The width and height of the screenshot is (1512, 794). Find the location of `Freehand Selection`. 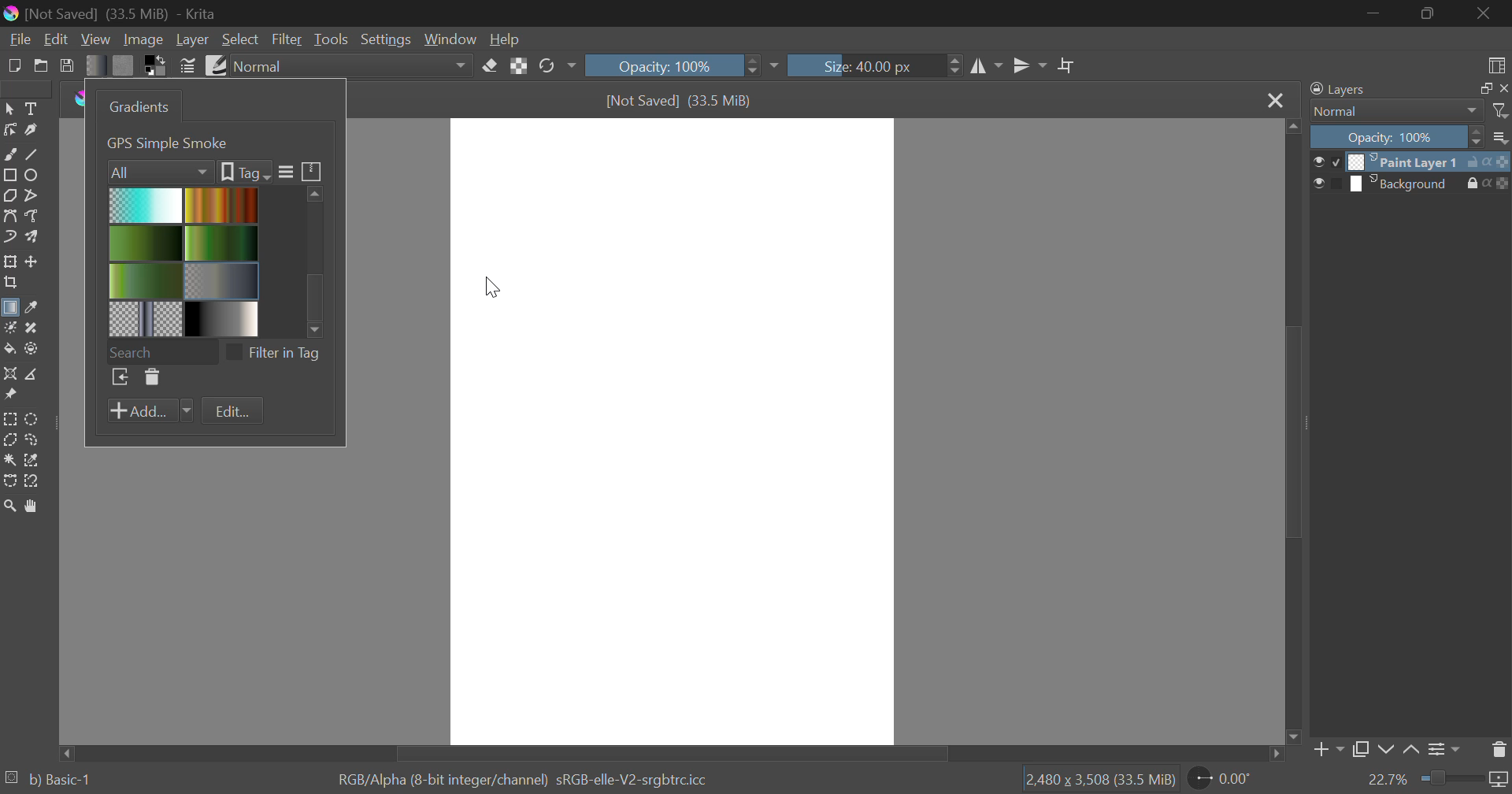

Freehand Selection is located at coordinates (32, 440).